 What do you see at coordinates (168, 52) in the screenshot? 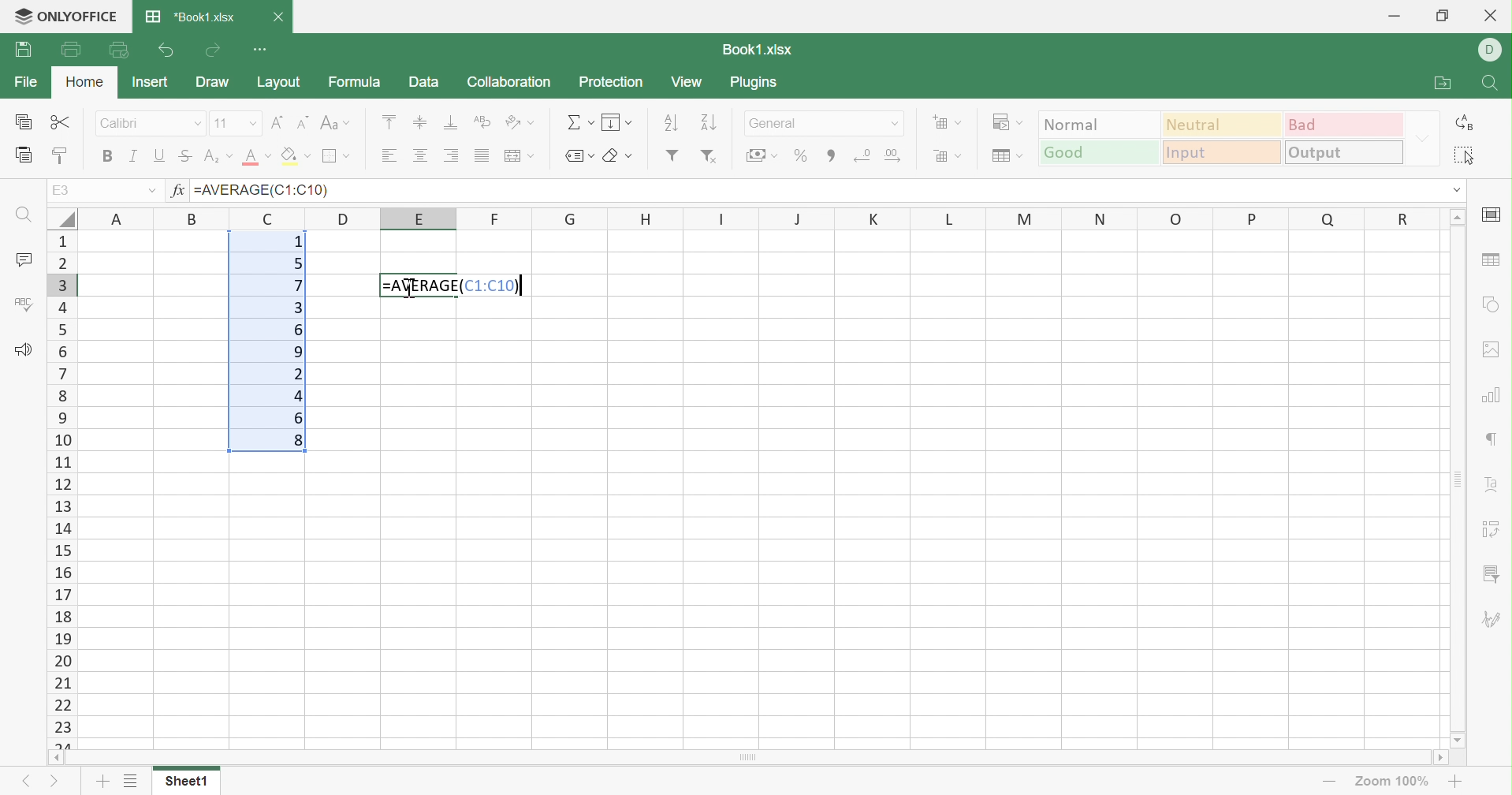
I see `Undo` at bounding box center [168, 52].